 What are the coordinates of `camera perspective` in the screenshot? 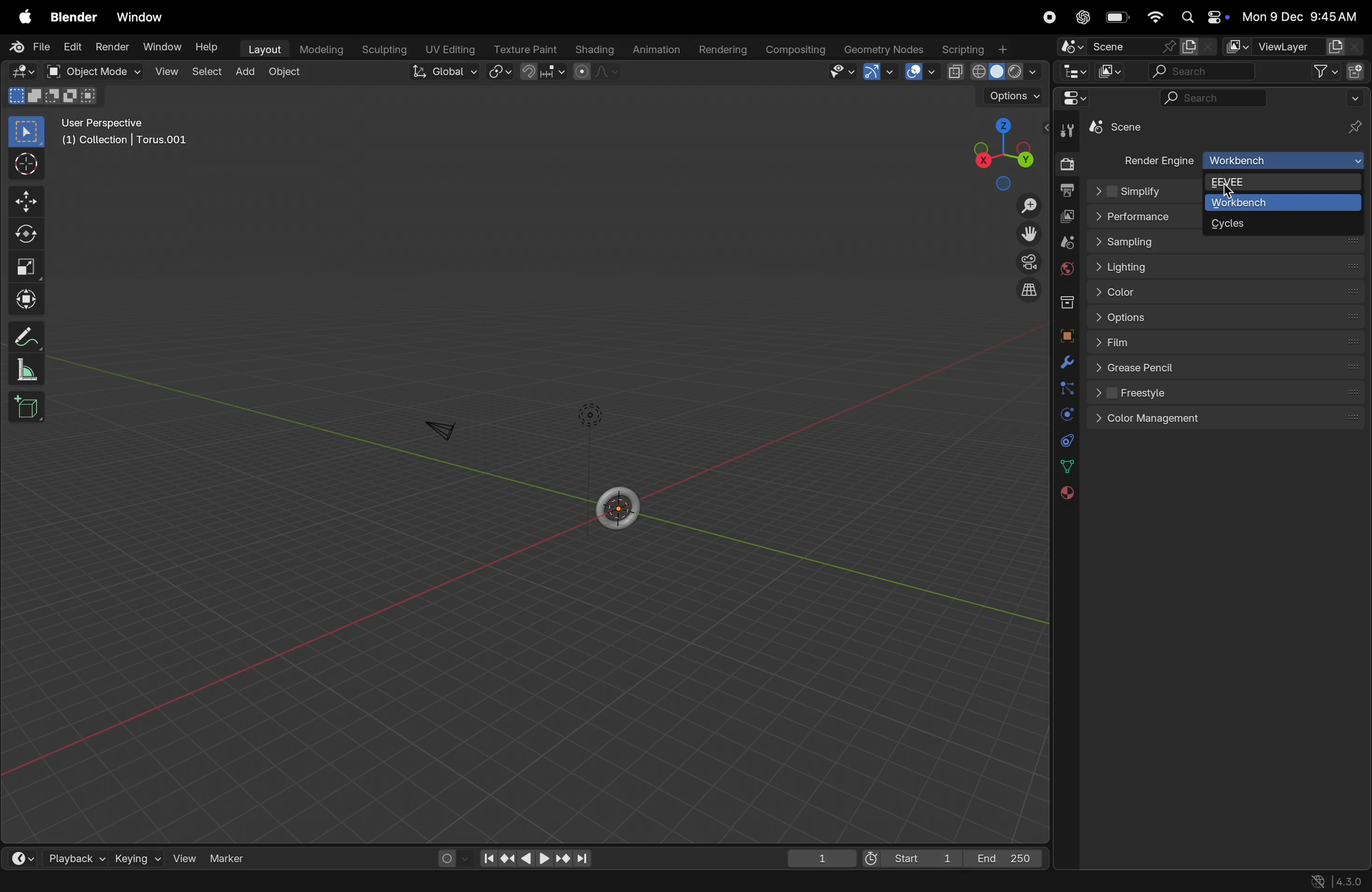 It's located at (1026, 261).